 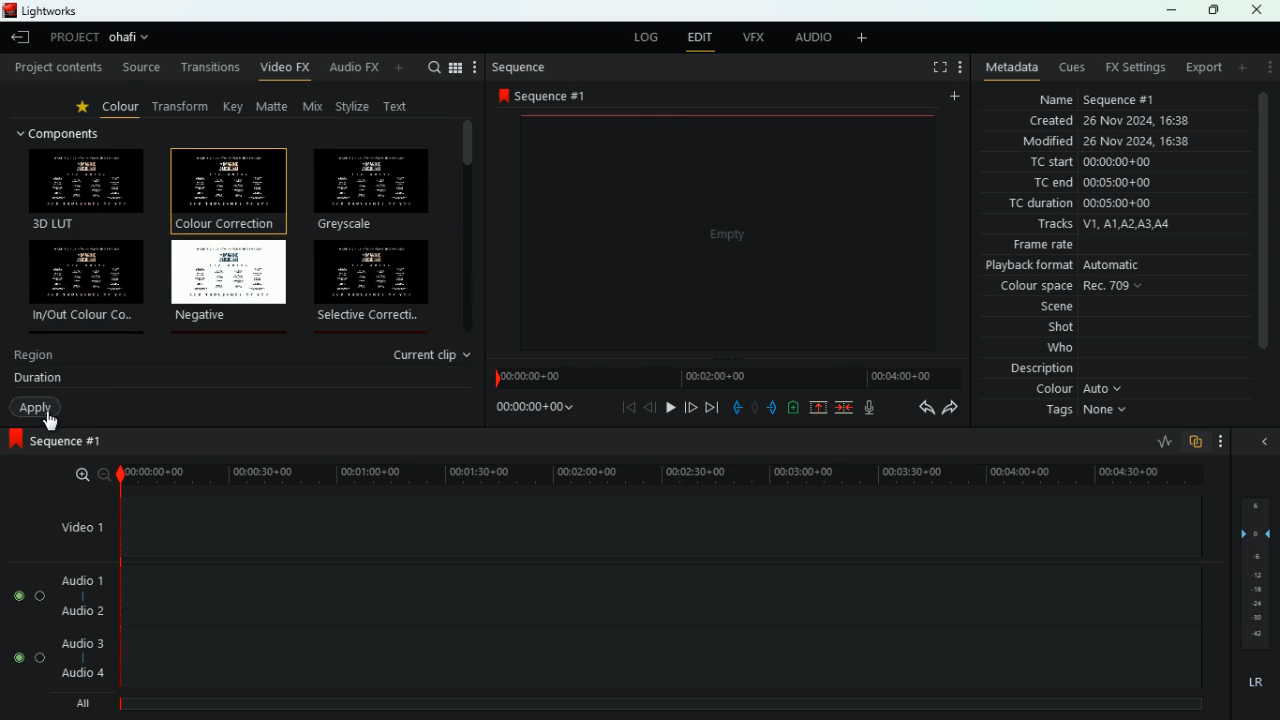 I want to click on key, so click(x=234, y=107).